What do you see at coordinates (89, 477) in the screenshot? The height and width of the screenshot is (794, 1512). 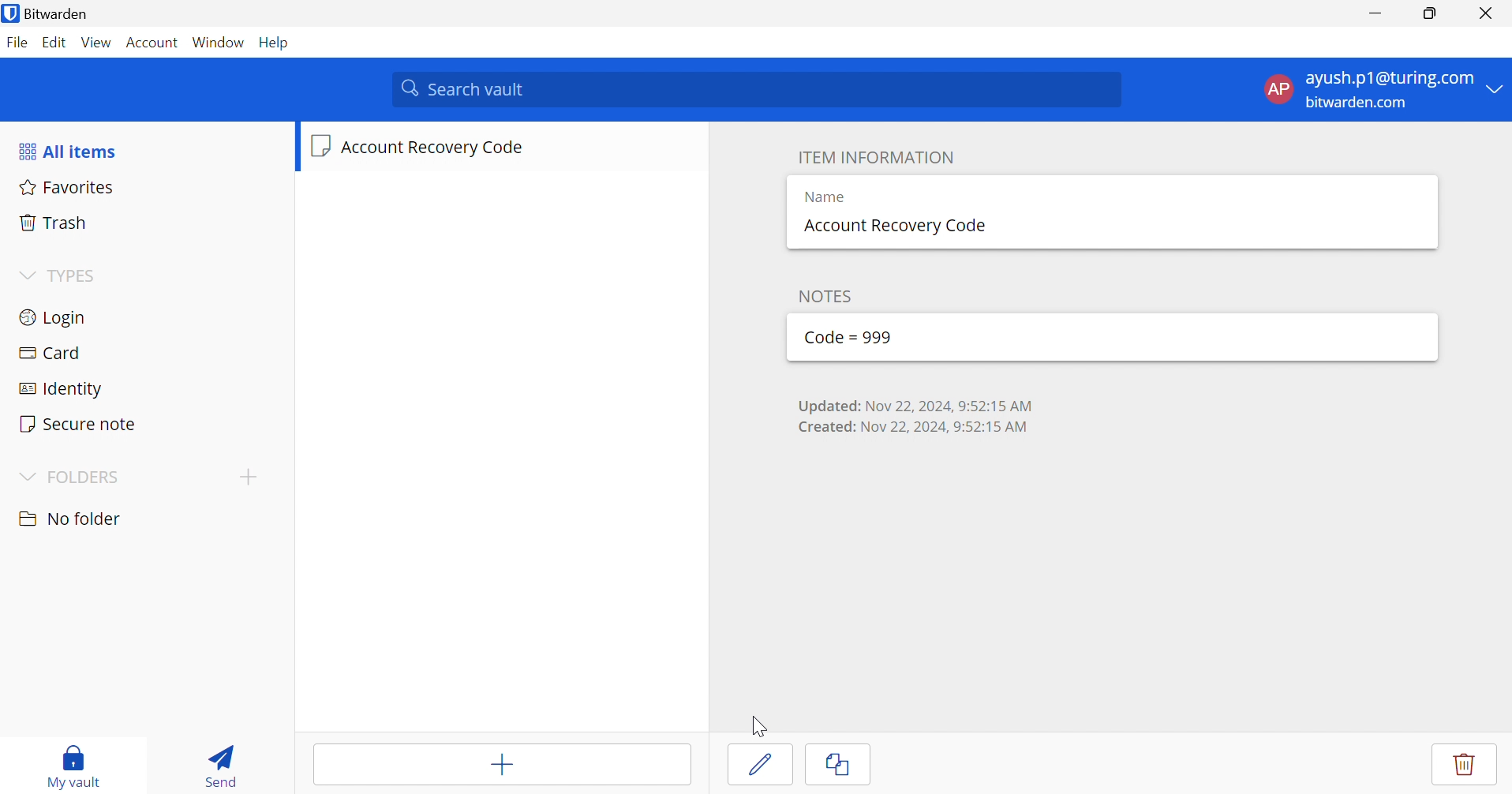 I see `FOLDERS` at bounding box center [89, 477].